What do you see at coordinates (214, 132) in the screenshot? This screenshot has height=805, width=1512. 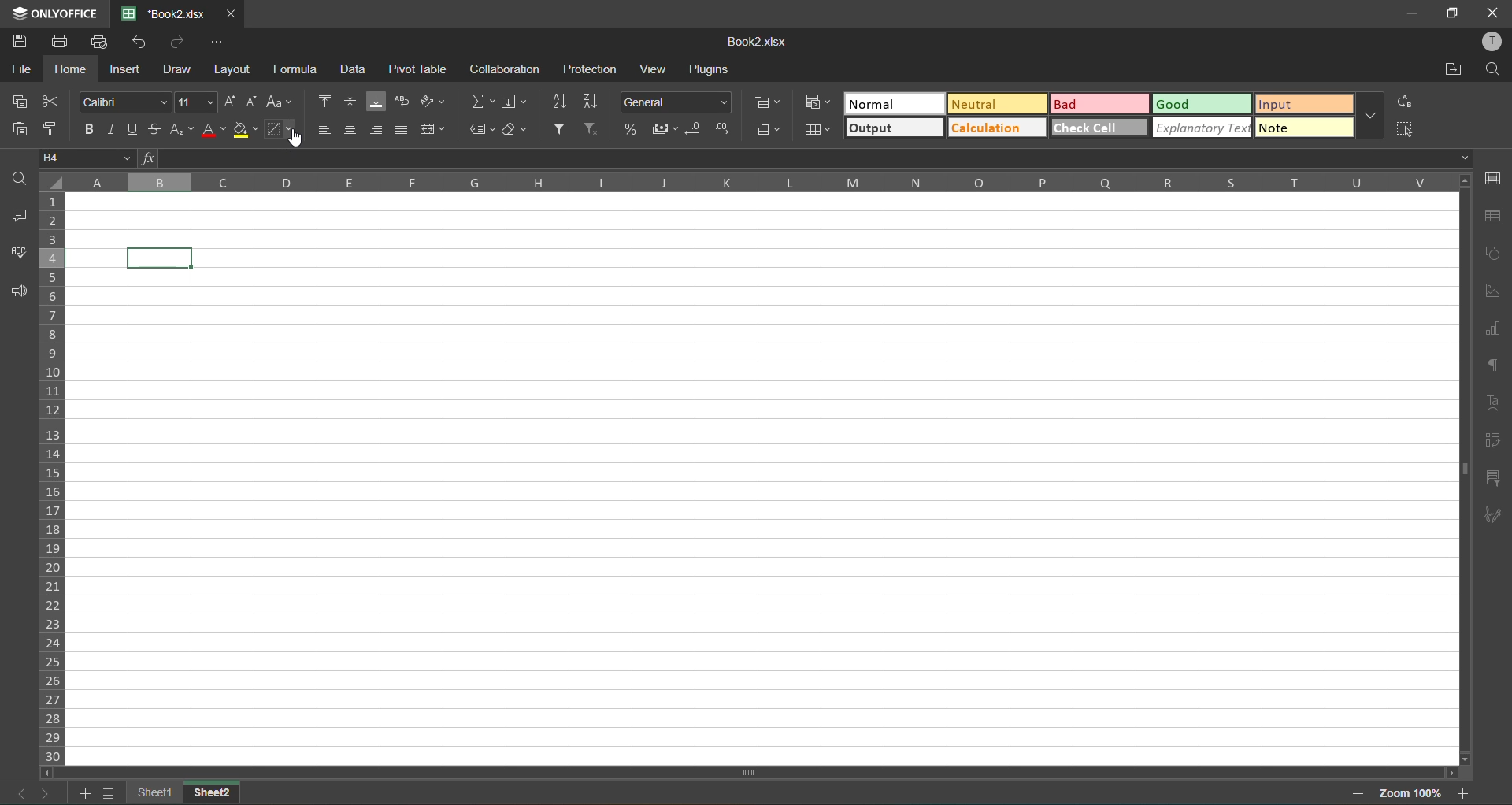 I see `font color` at bounding box center [214, 132].